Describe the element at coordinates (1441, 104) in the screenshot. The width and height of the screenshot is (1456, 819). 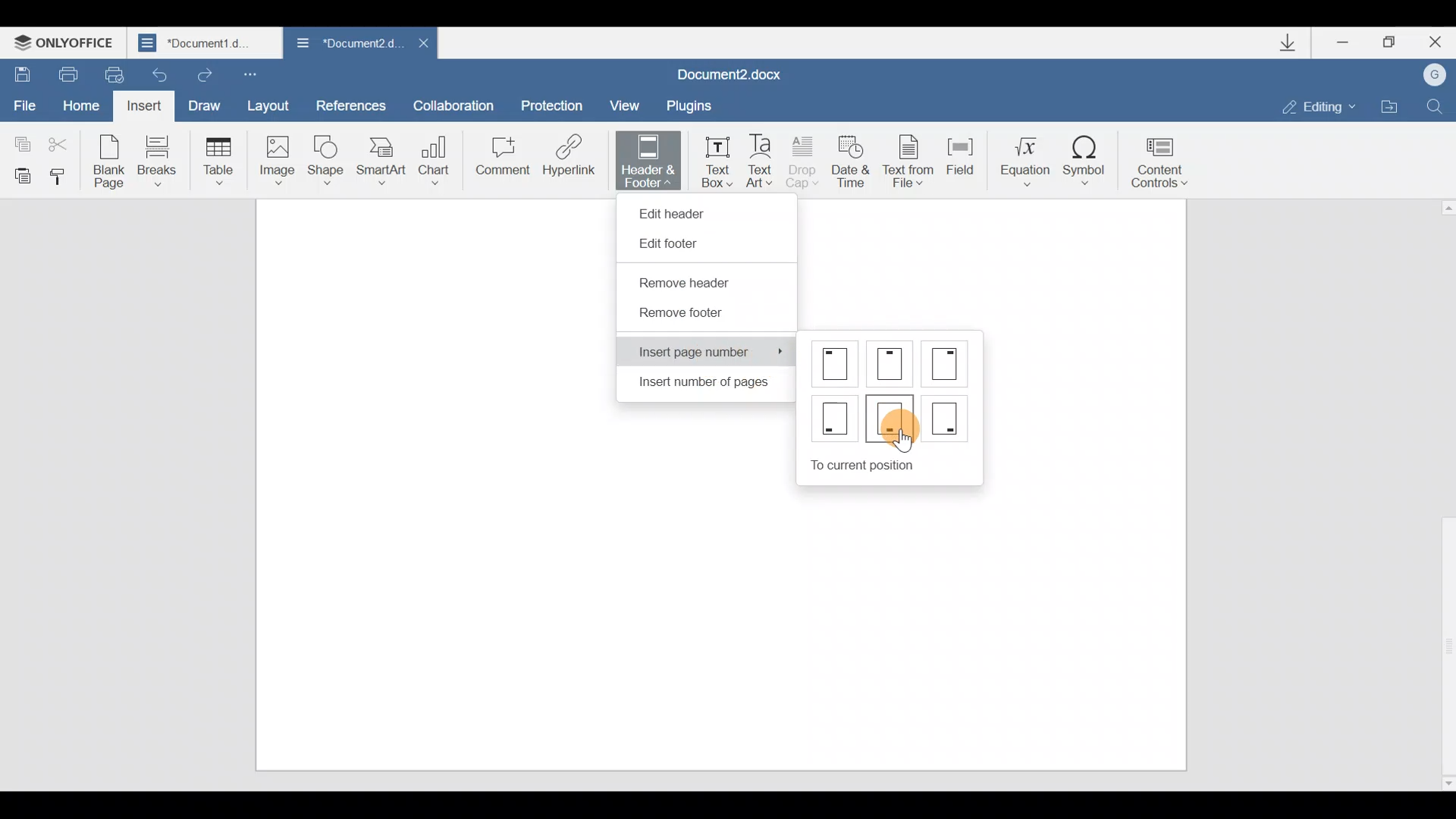
I see `Find` at that location.